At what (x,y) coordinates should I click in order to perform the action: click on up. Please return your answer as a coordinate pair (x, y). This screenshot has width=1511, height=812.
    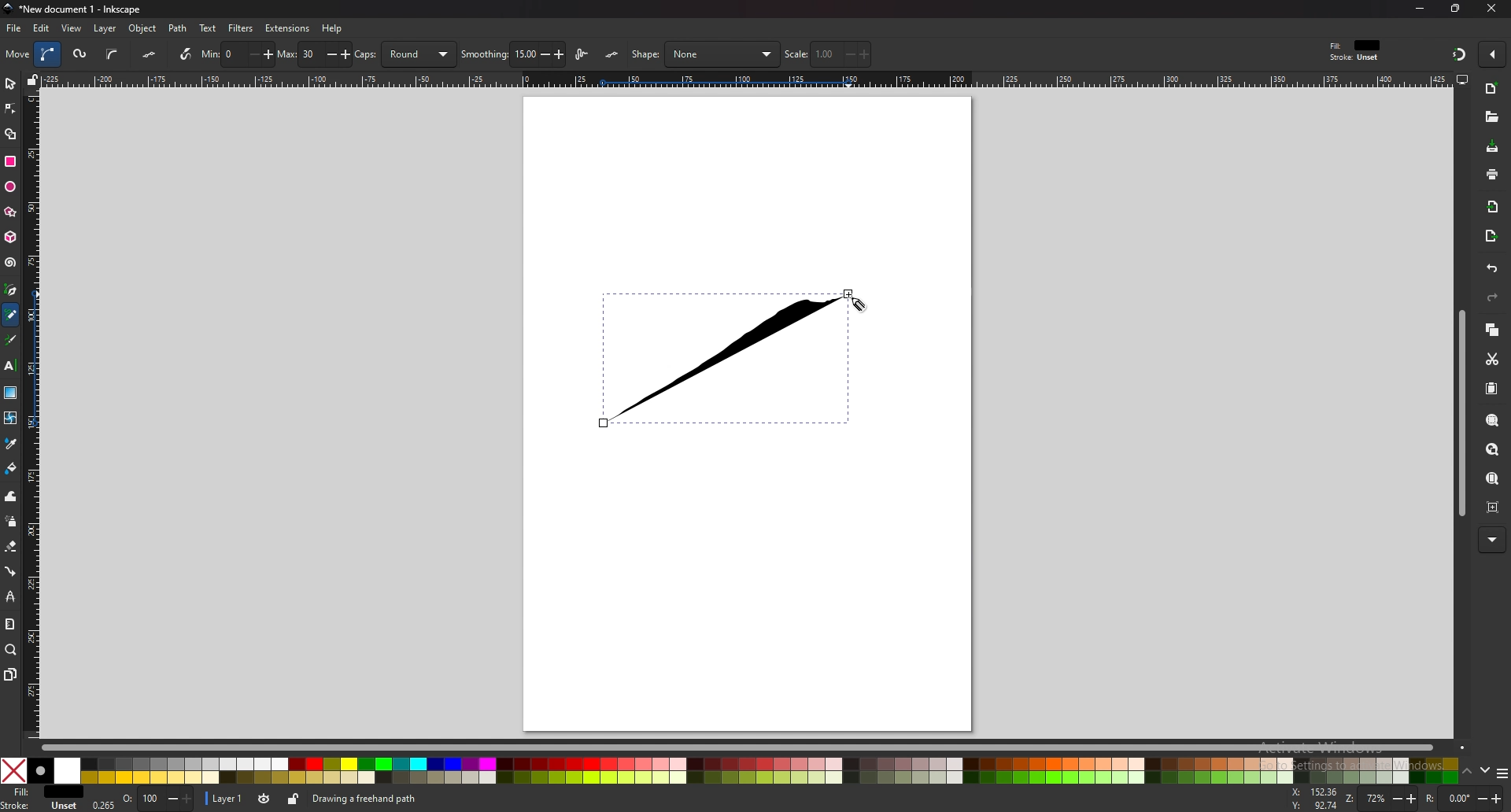
    Looking at the image, I should click on (1467, 772).